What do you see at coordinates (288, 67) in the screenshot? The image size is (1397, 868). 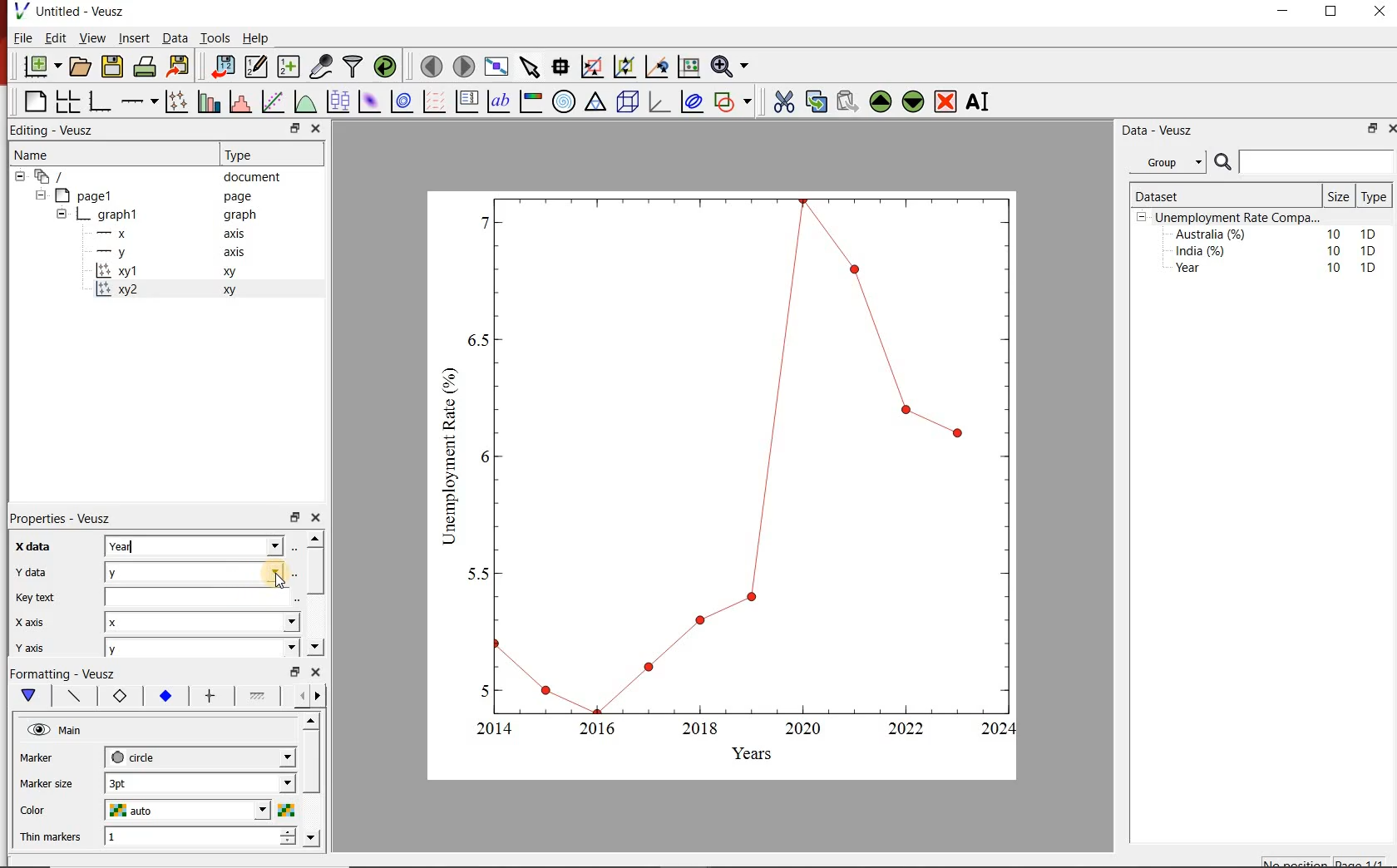 I see `create new datasets` at bounding box center [288, 67].